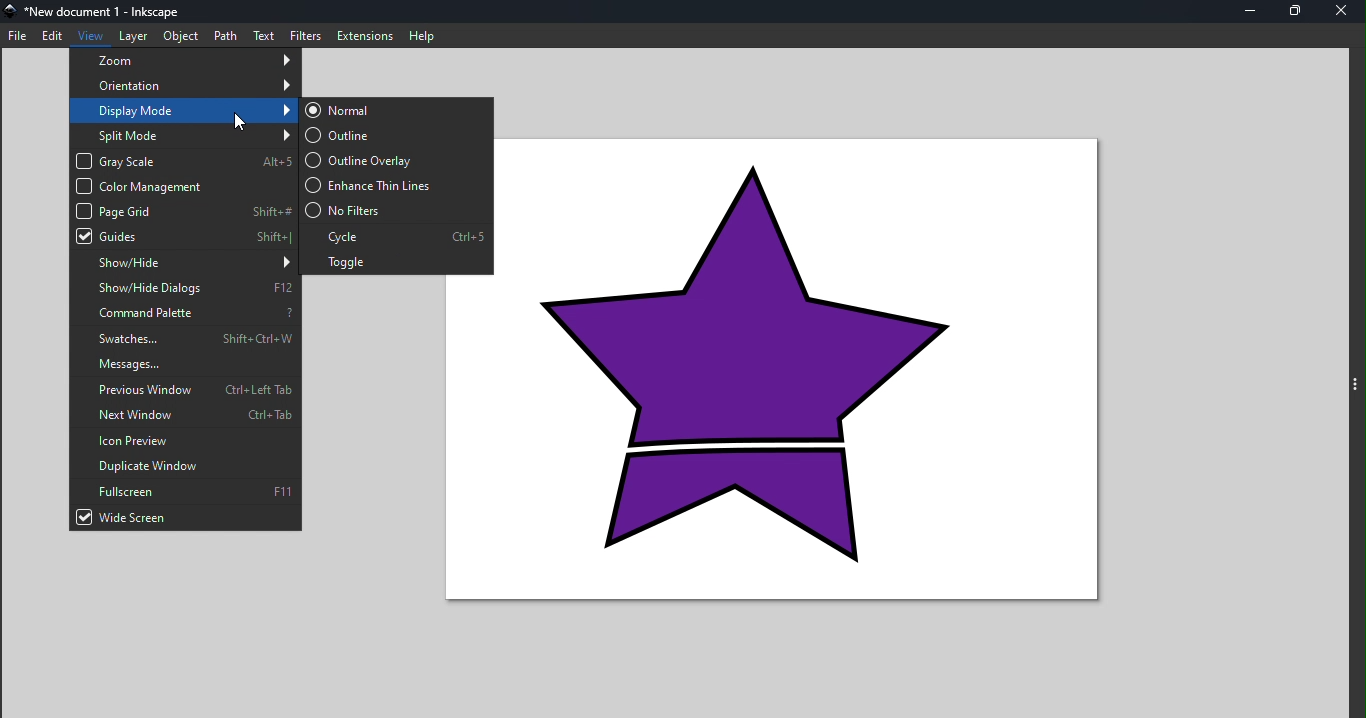 The height and width of the screenshot is (718, 1366). What do you see at coordinates (181, 465) in the screenshot?
I see `Duplicate window` at bounding box center [181, 465].